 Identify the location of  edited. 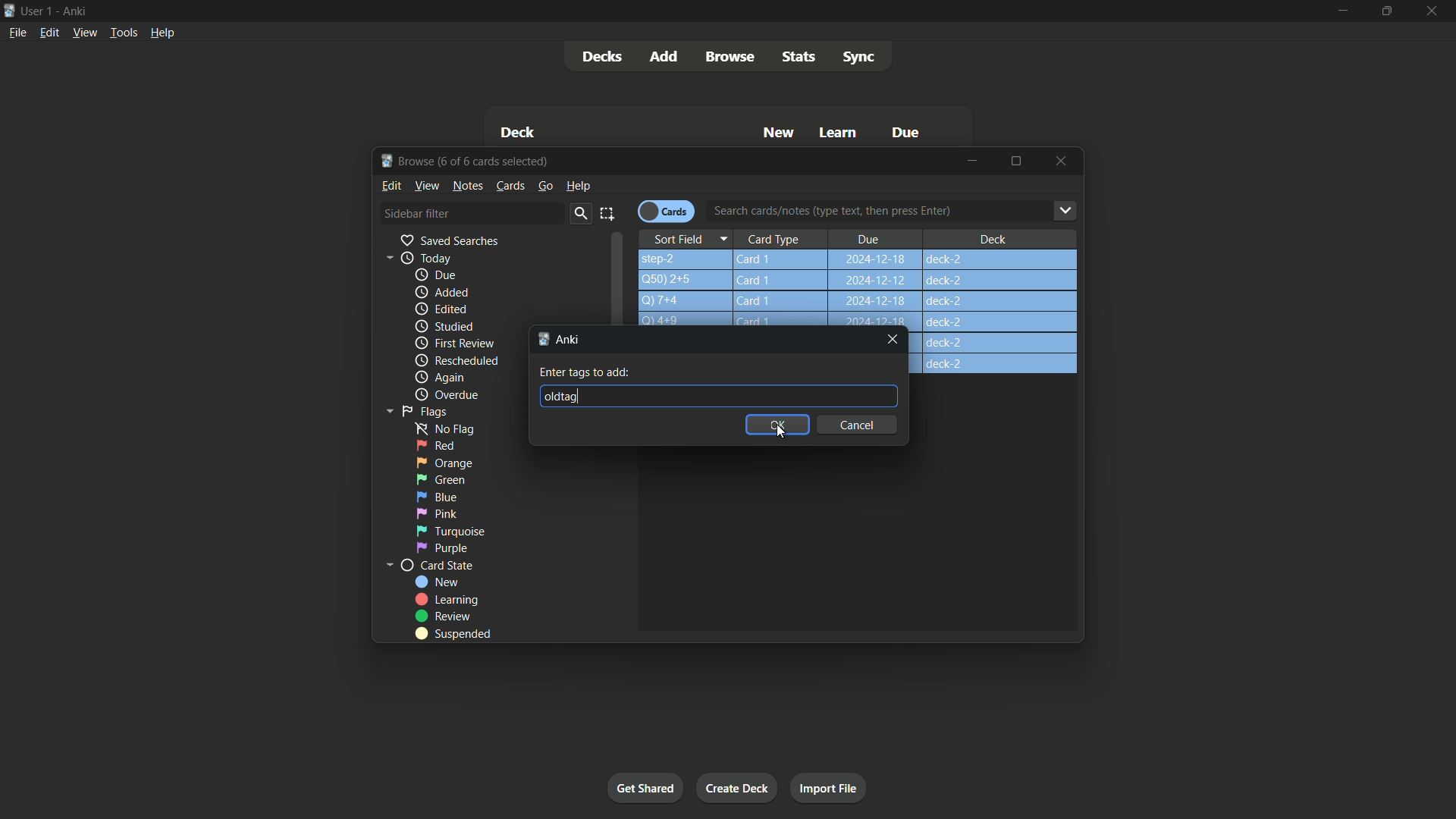
(440, 308).